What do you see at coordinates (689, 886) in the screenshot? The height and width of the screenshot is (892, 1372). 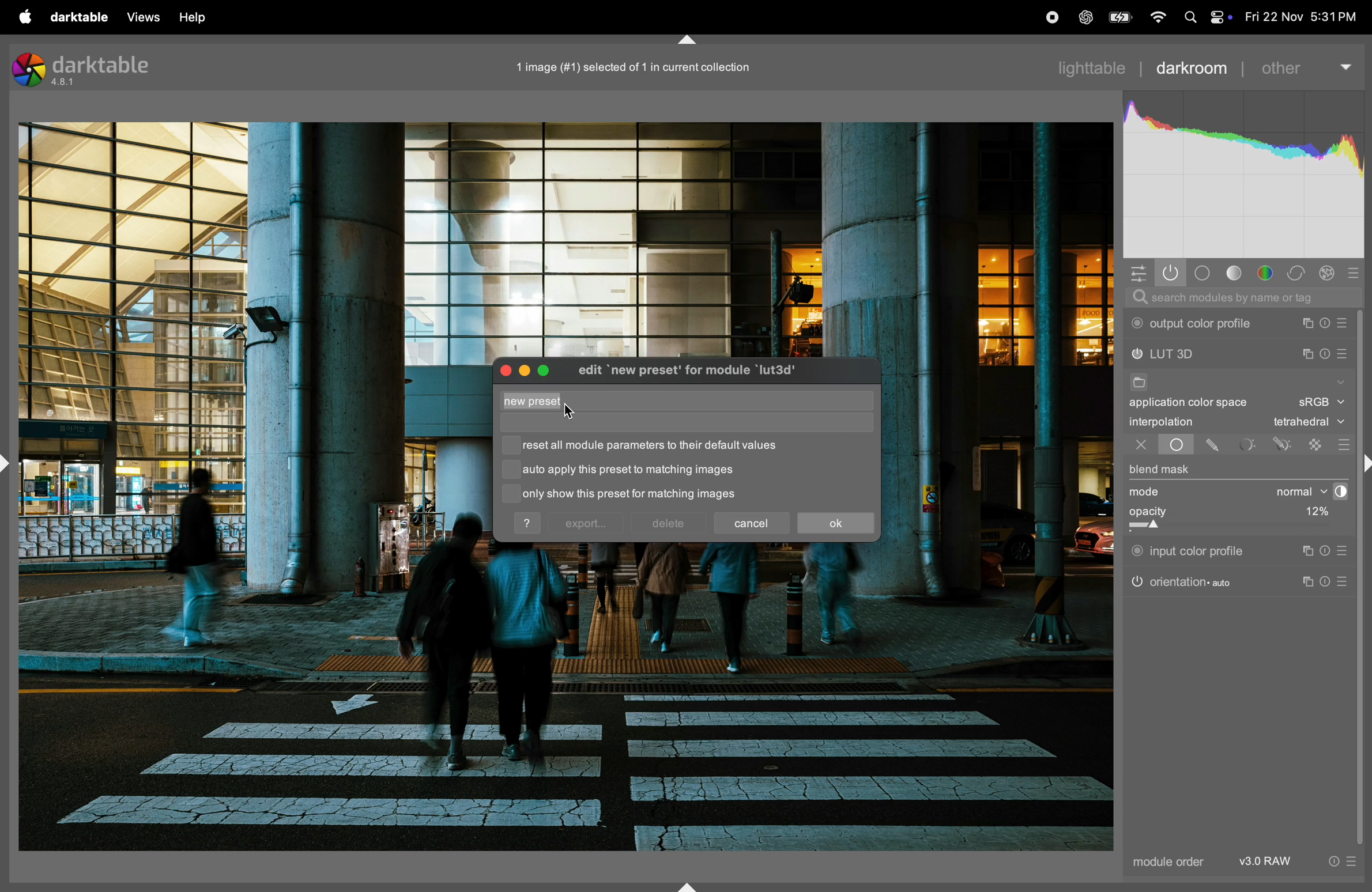 I see `shift+ctrl+b` at bounding box center [689, 886].